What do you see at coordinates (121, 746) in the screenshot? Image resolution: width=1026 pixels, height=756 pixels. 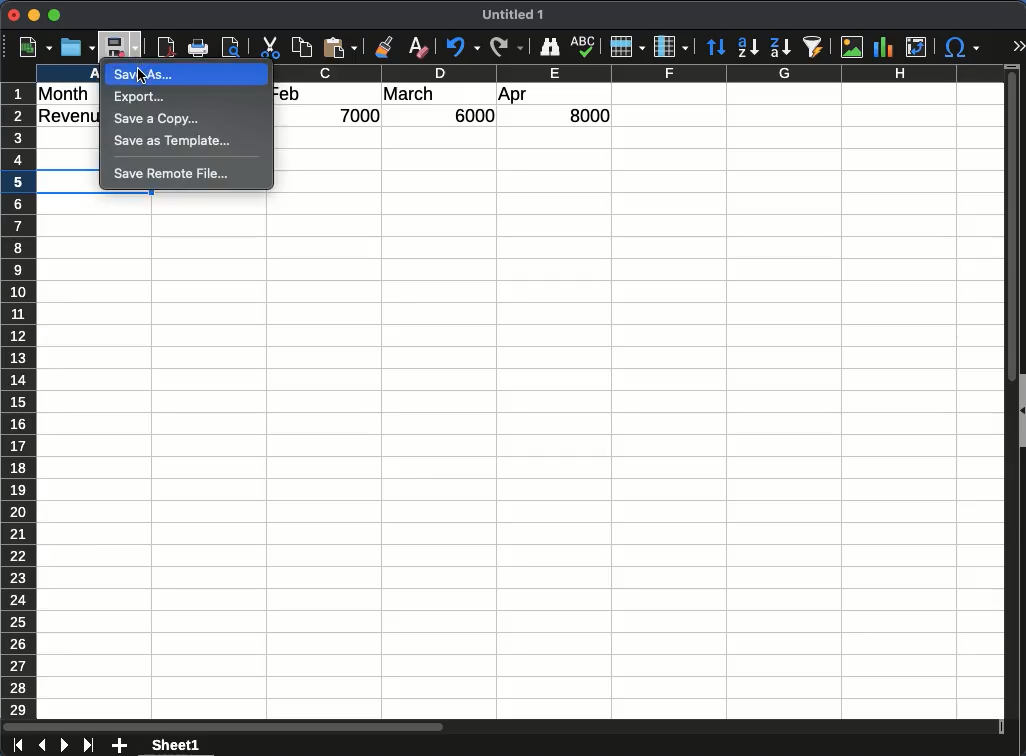 I see `add sheet` at bounding box center [121, 746].